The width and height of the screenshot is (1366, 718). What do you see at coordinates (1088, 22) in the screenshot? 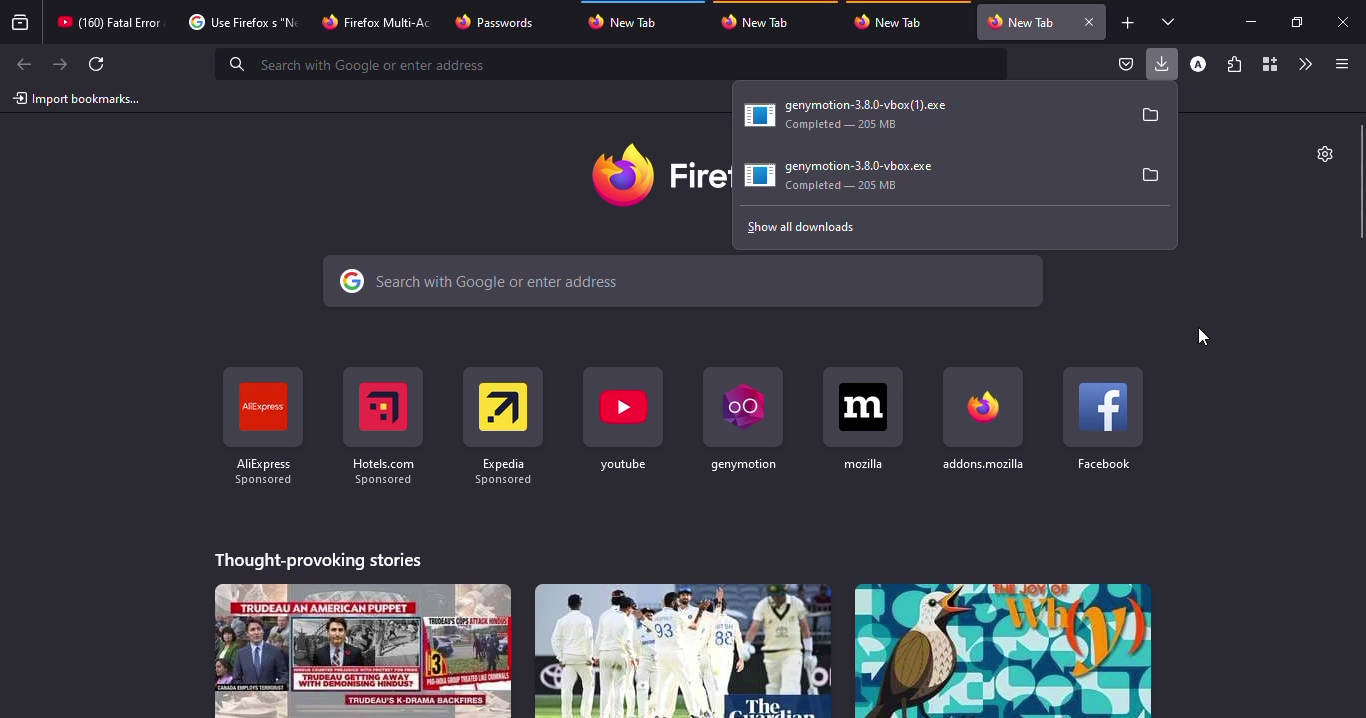
I see `close` at bounding box center [1088, 22].